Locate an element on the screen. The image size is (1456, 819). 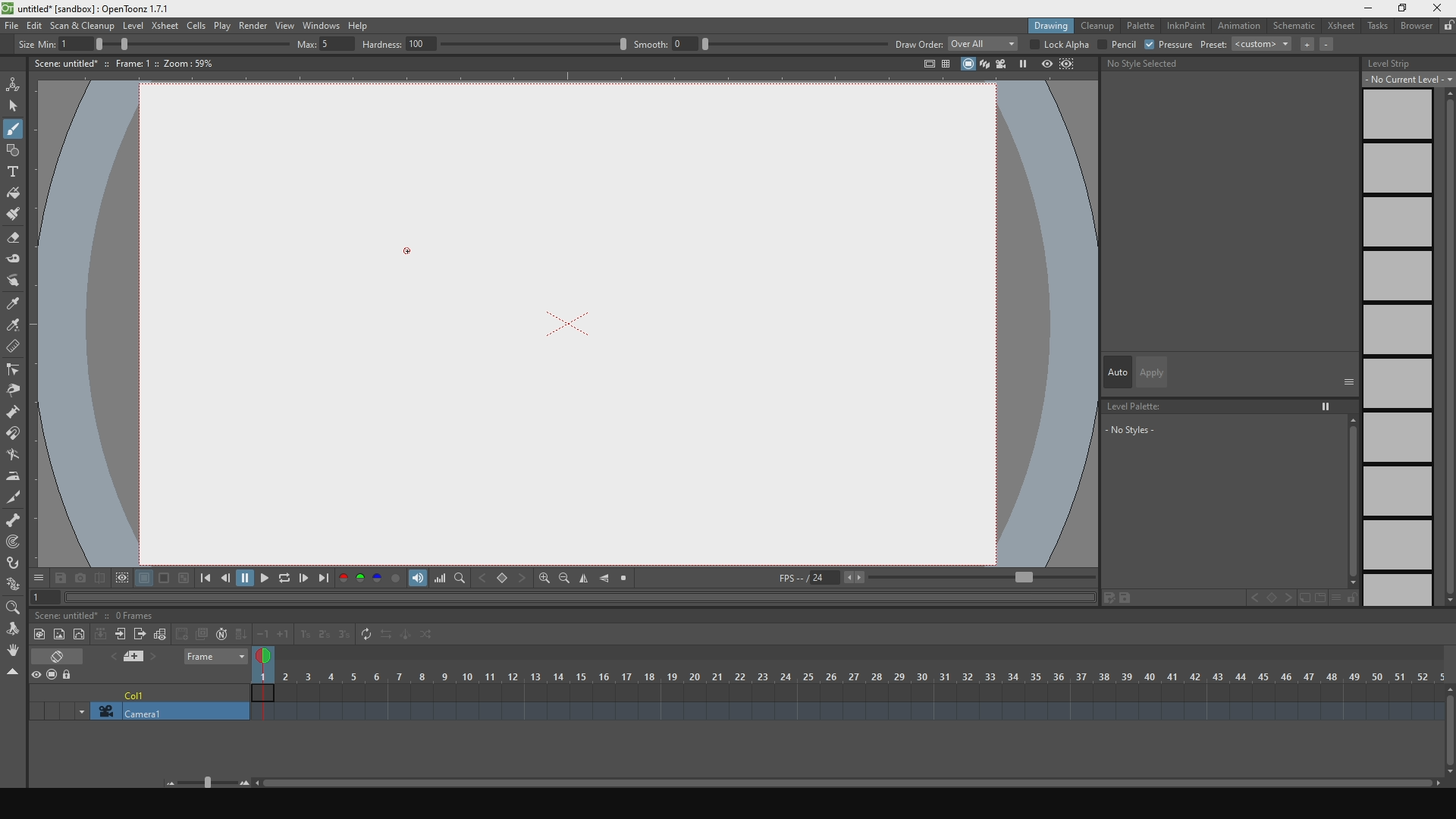
black background is located at coordinates (164, 579).